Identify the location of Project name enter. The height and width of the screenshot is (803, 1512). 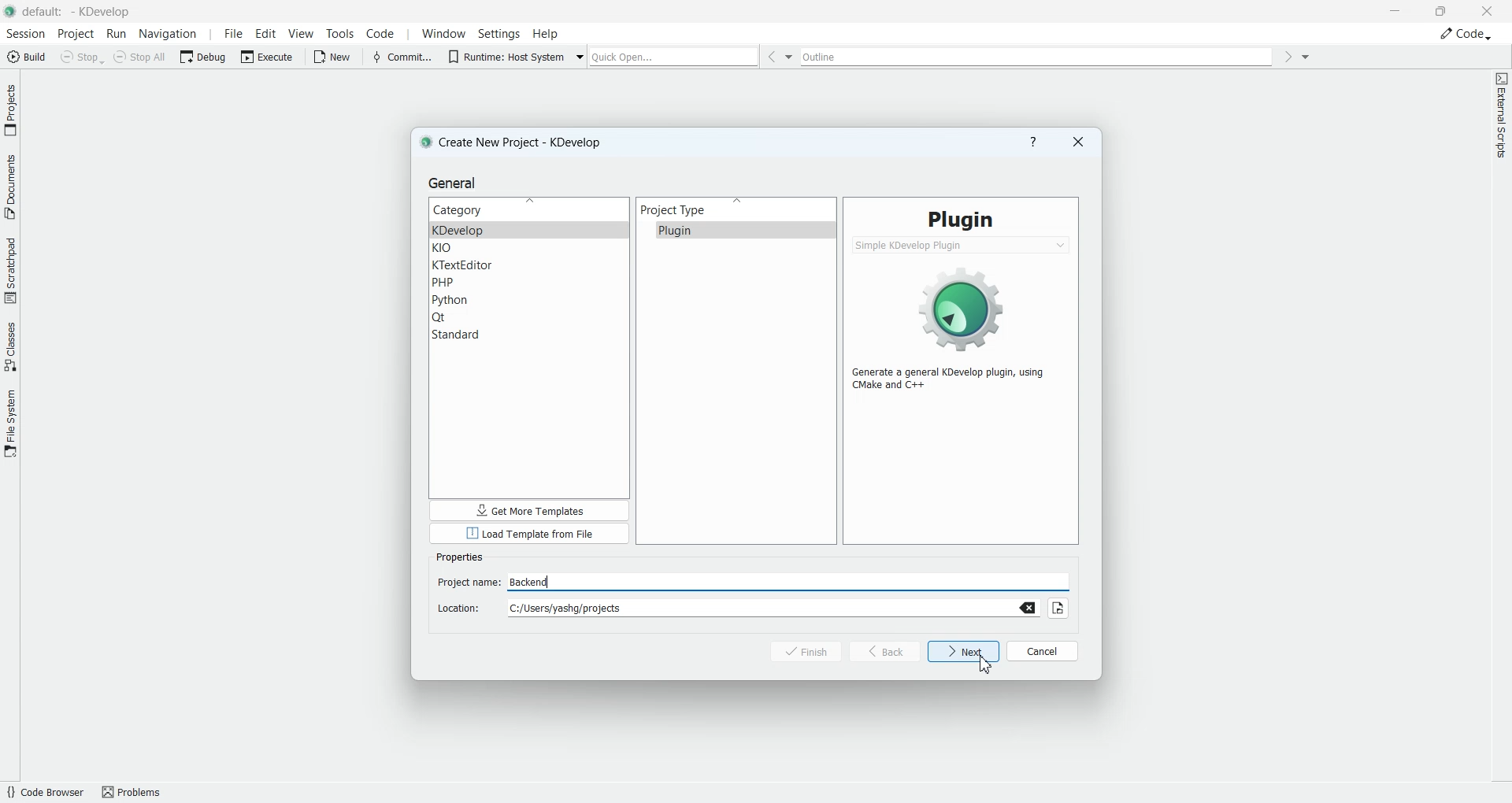
(753, 581).